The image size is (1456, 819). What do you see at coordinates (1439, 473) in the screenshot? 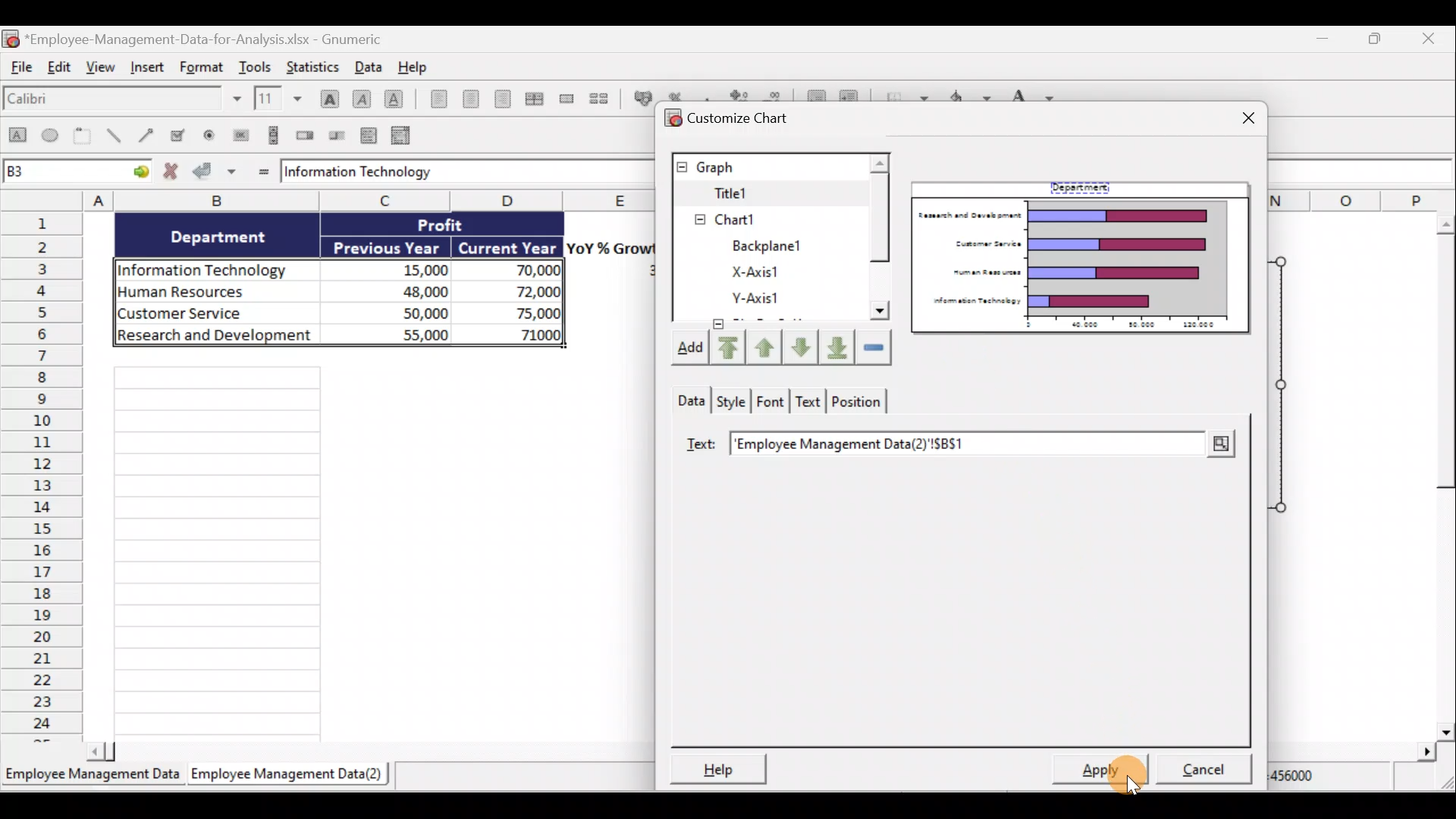
I see `Scroll bar` at bounding box center [1439, 473].